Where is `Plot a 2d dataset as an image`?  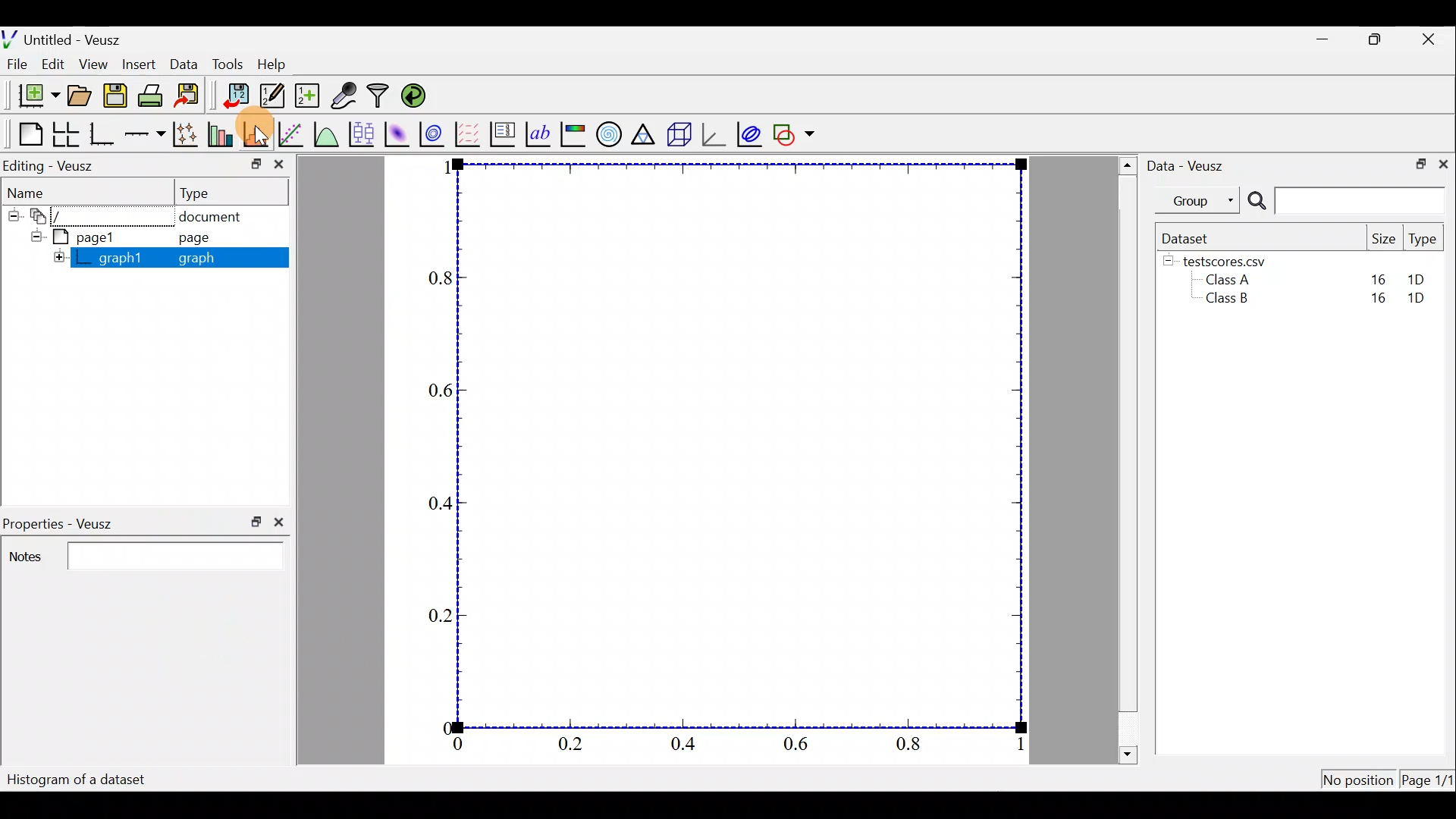 Plot a 2d dataset as an image is located at coordinates (396, 132).